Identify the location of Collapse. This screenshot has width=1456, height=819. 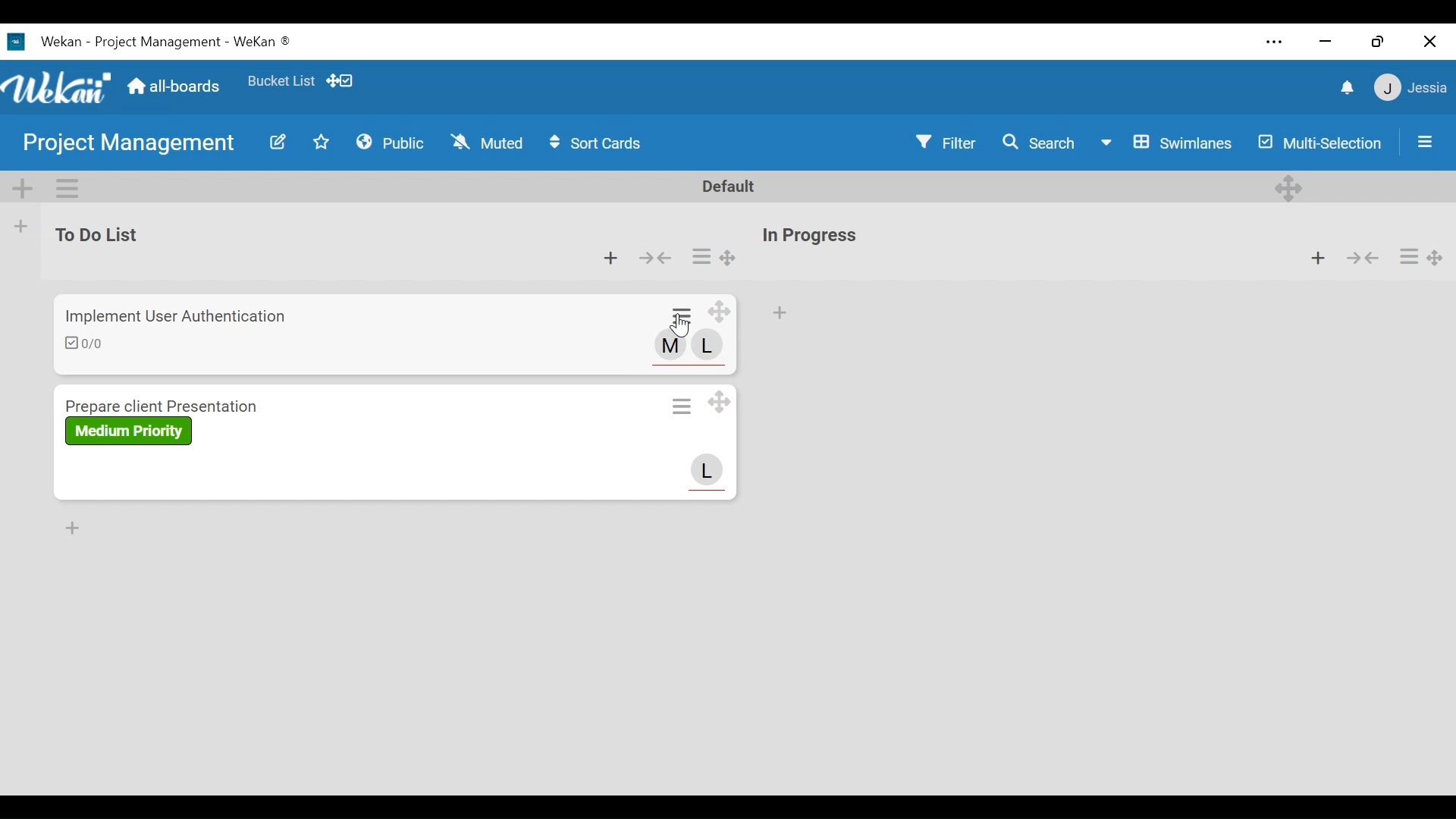
(1361, 257).